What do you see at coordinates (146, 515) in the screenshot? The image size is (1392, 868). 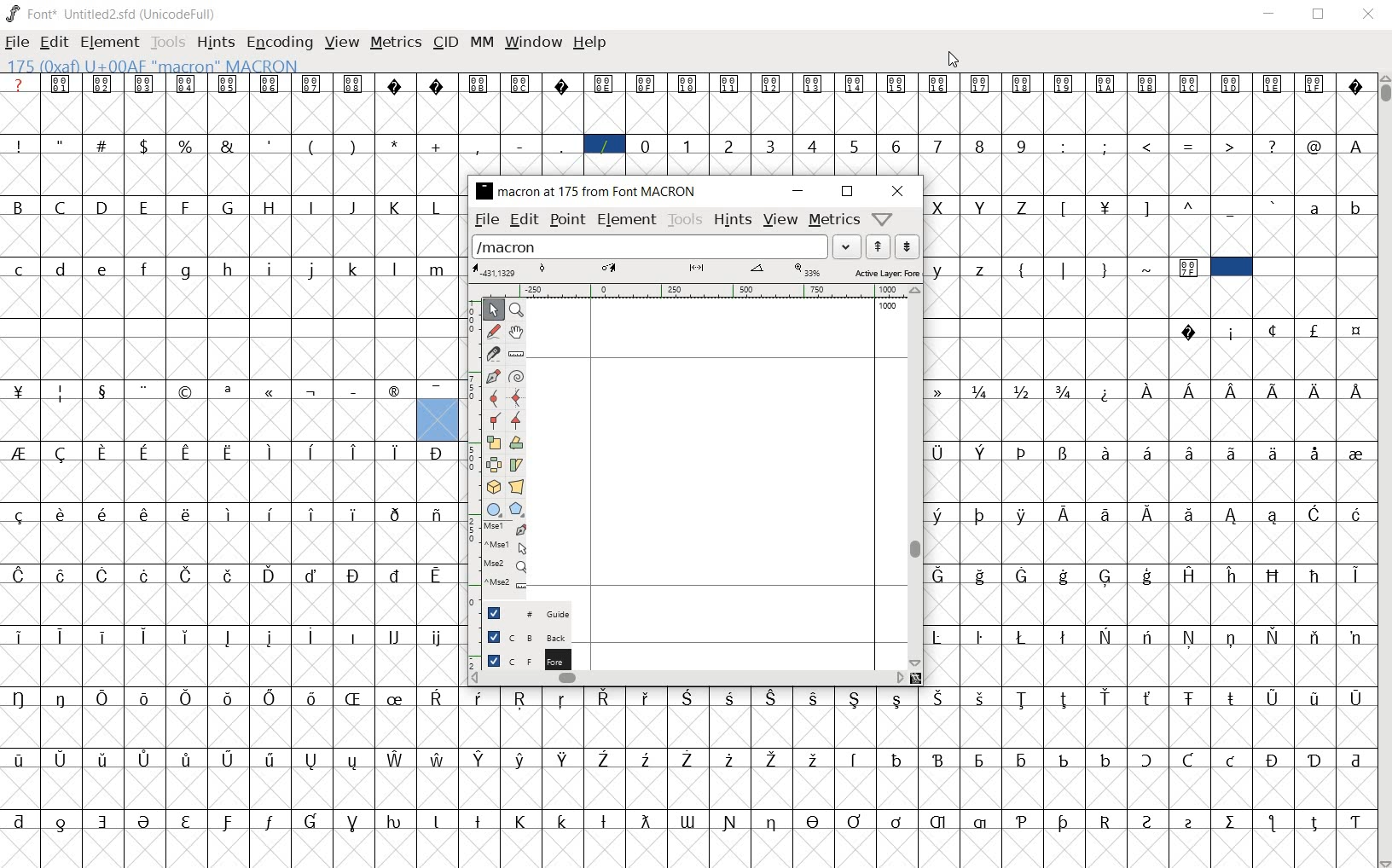 I see `Symbol` at bounding box center [146, 515].